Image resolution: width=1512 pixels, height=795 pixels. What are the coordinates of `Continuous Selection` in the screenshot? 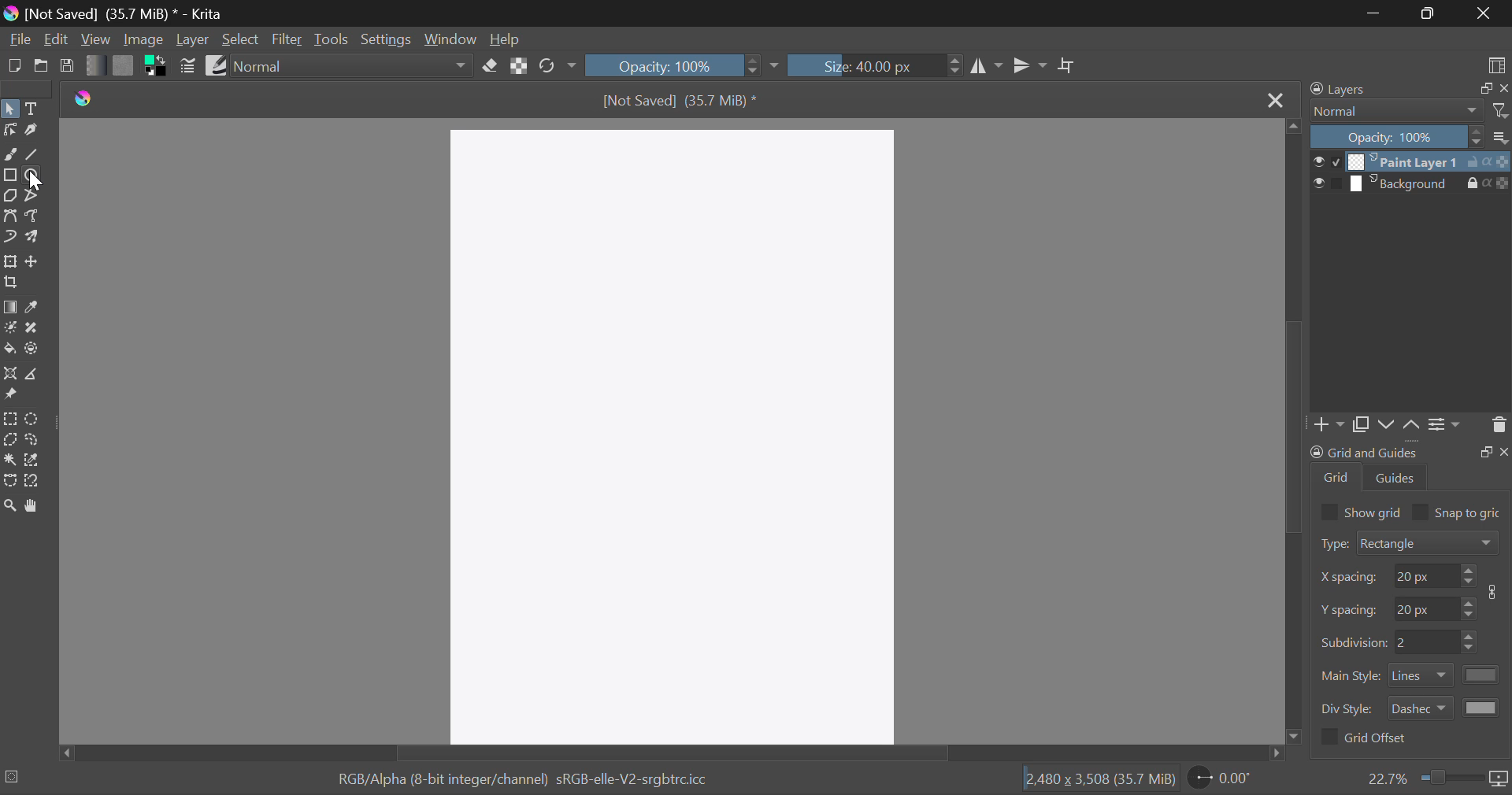 It's located at (9, 462).